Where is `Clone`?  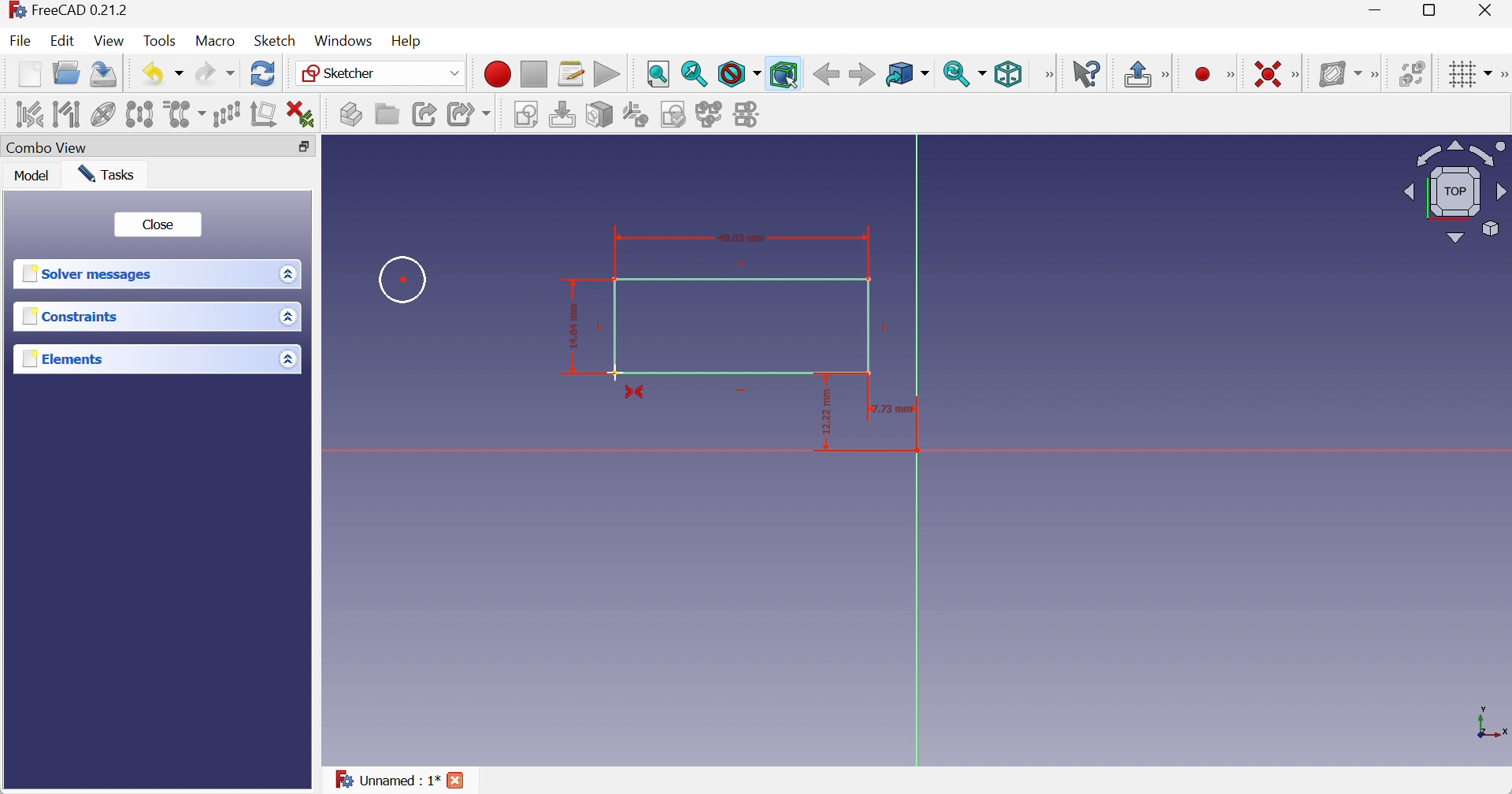 Clone is located at coordinates (187, 114).